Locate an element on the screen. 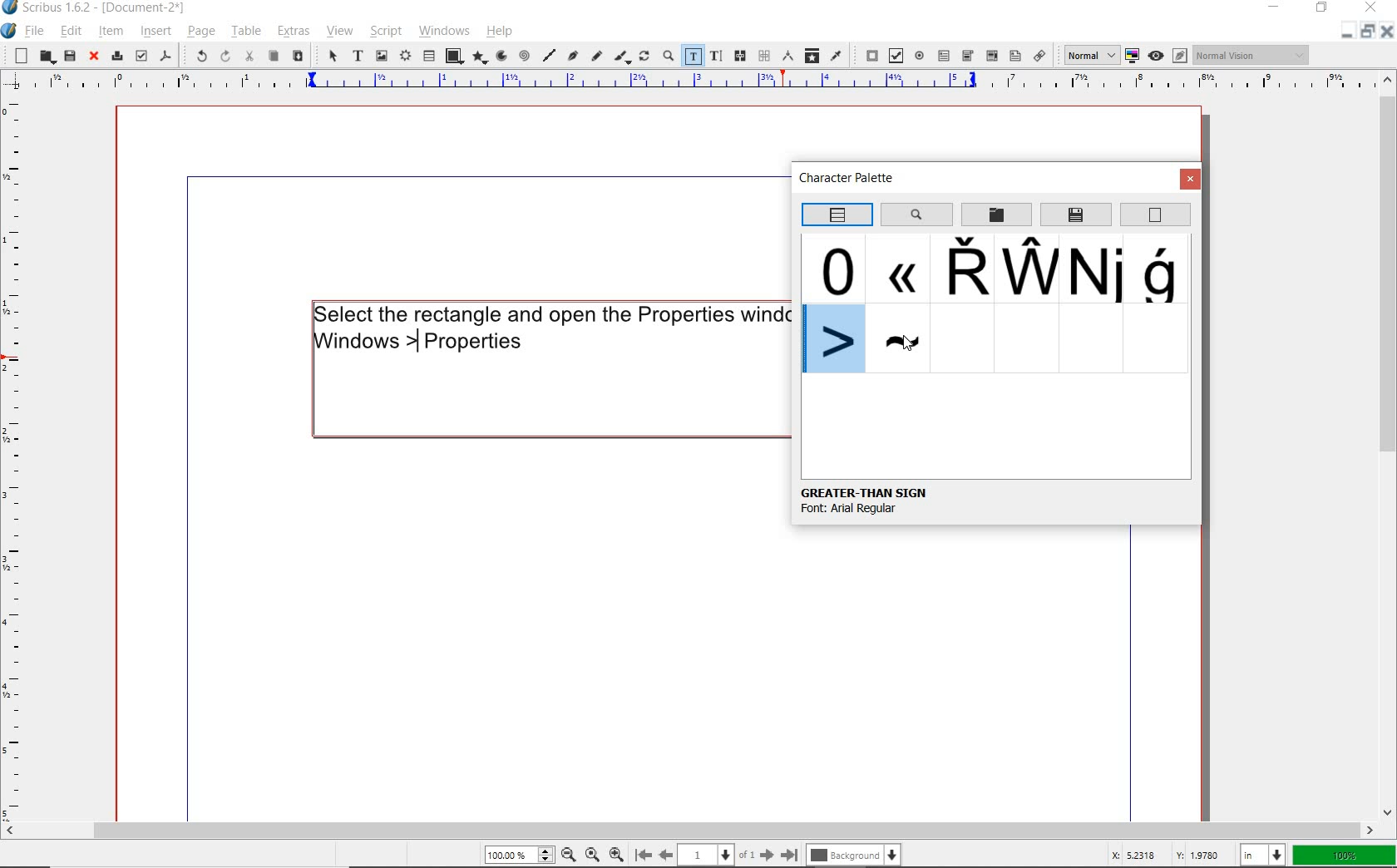 This screenshot has height=868, width=1397. line is located at coordinates (550, 55).